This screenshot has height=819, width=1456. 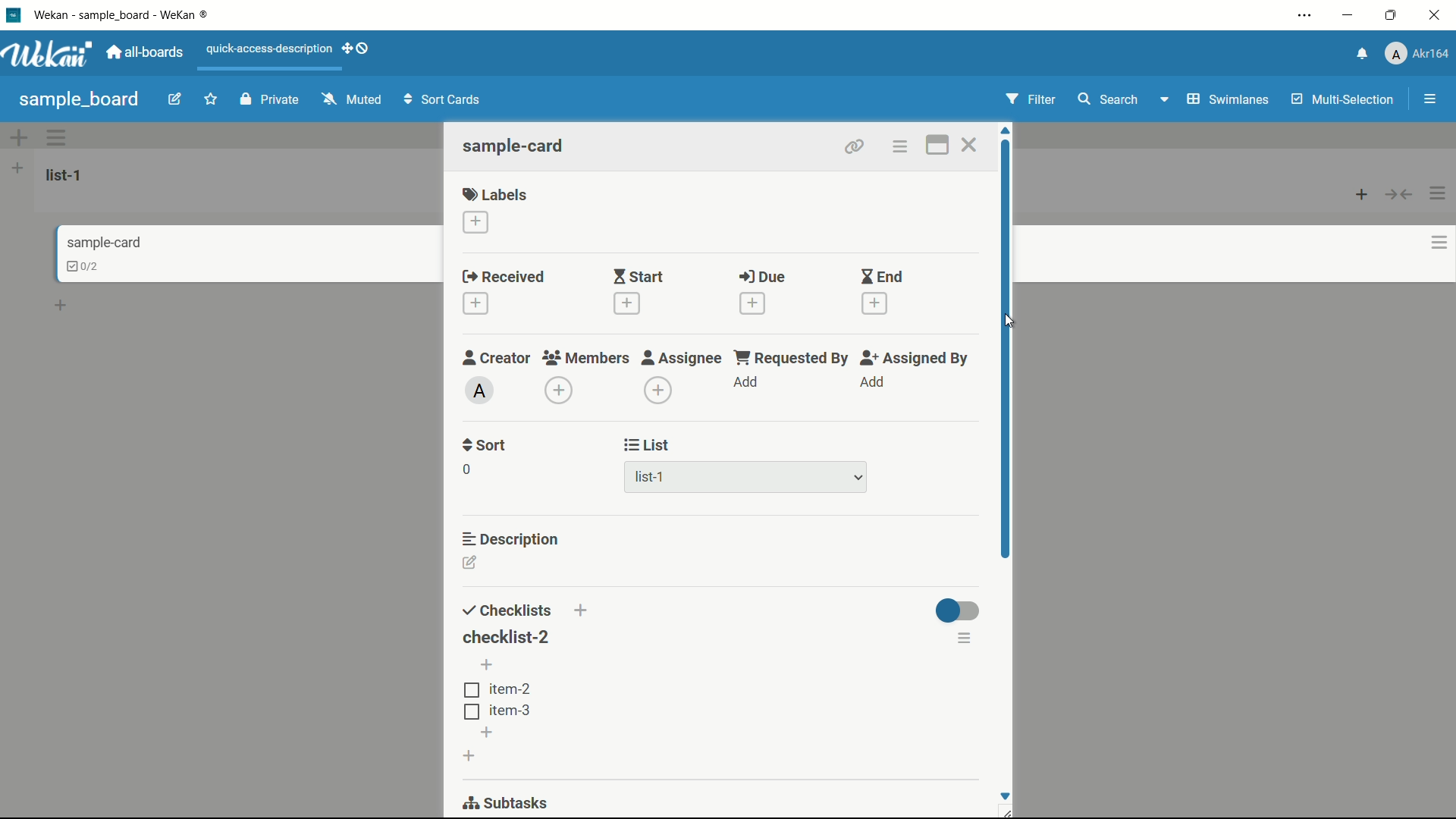 What do you see at coordinates (212, 101) in the screenshot?
I see `star this board` at bounding box center [212, 101].